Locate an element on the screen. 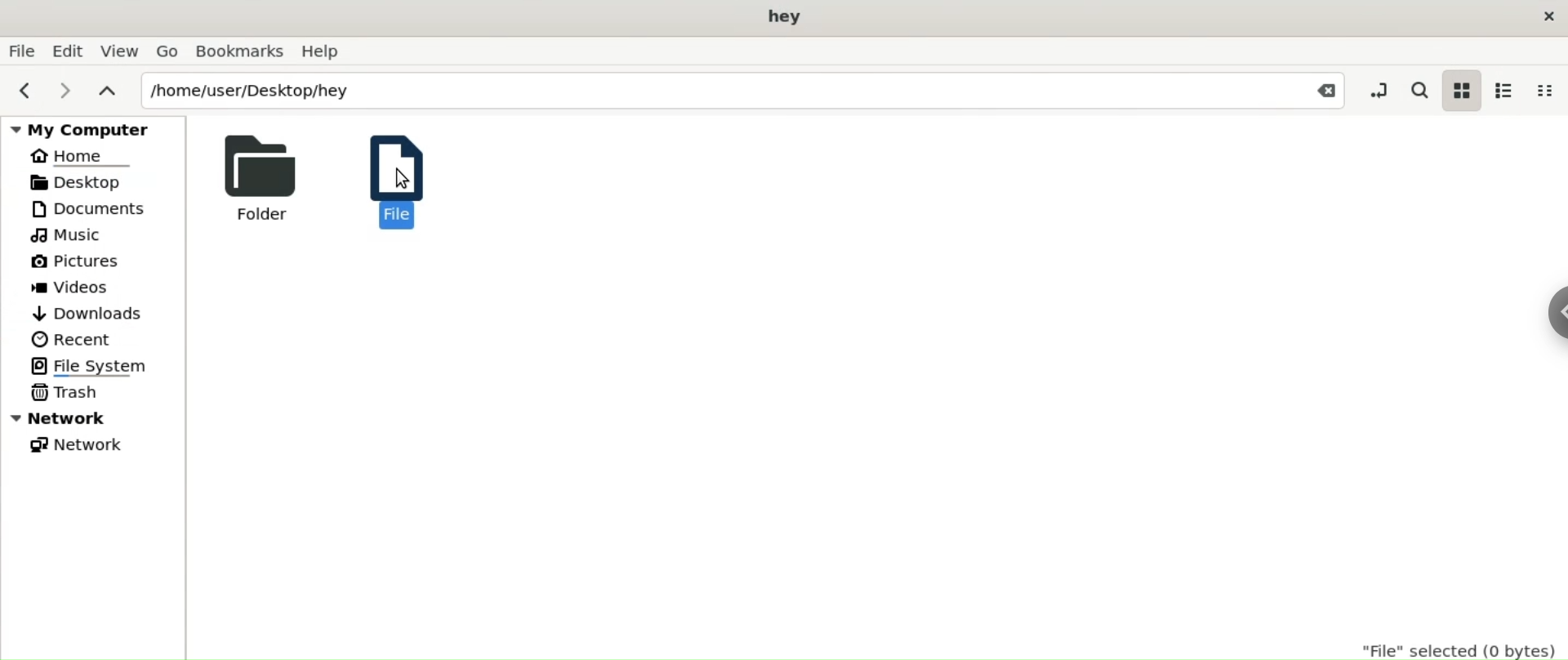 This screenshot has height=660, width=1568. Edit is located at coordinates (69, 50).